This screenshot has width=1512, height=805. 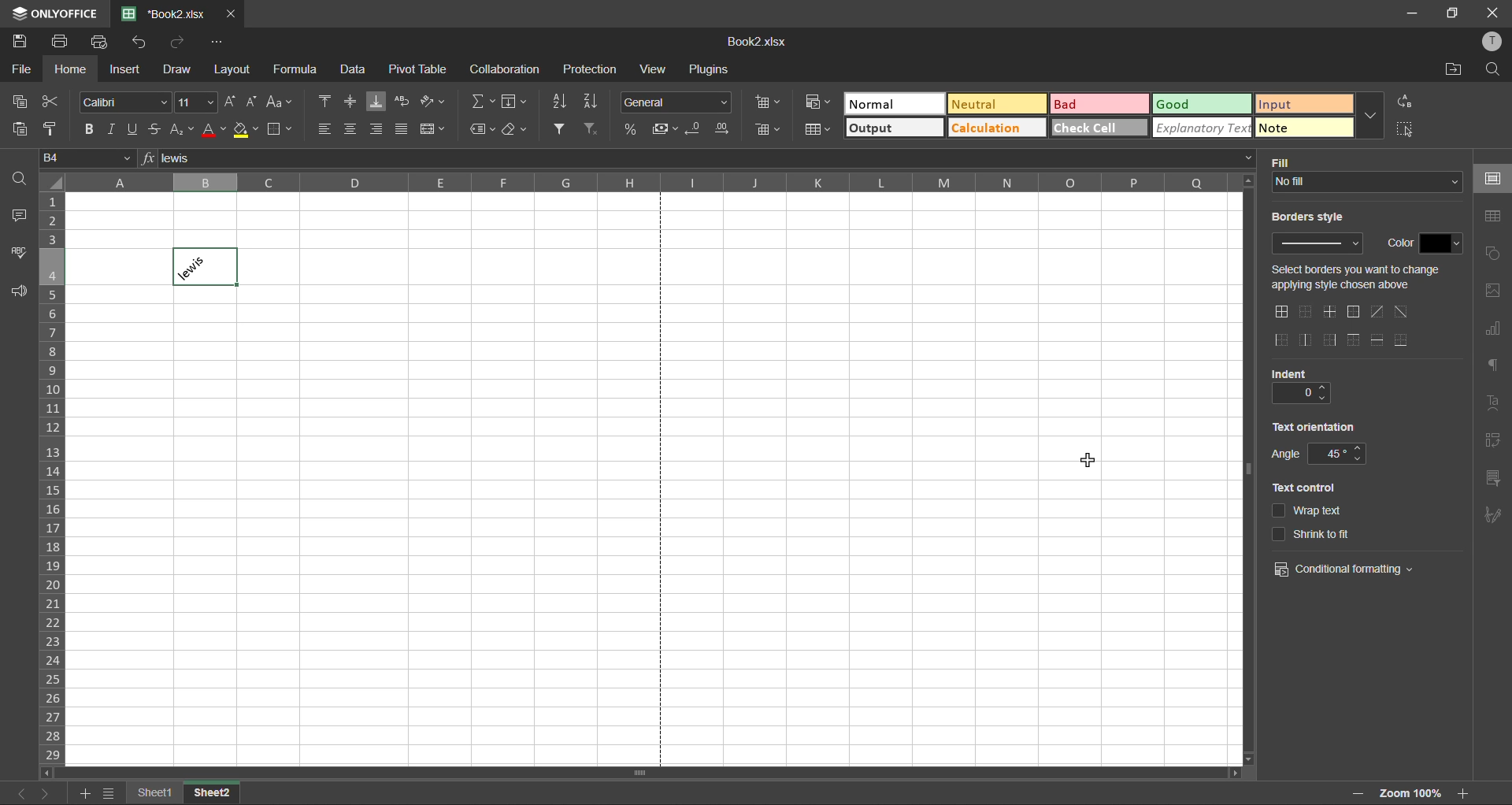 I want to click on conditional formatting, so click(x=820, y=103).